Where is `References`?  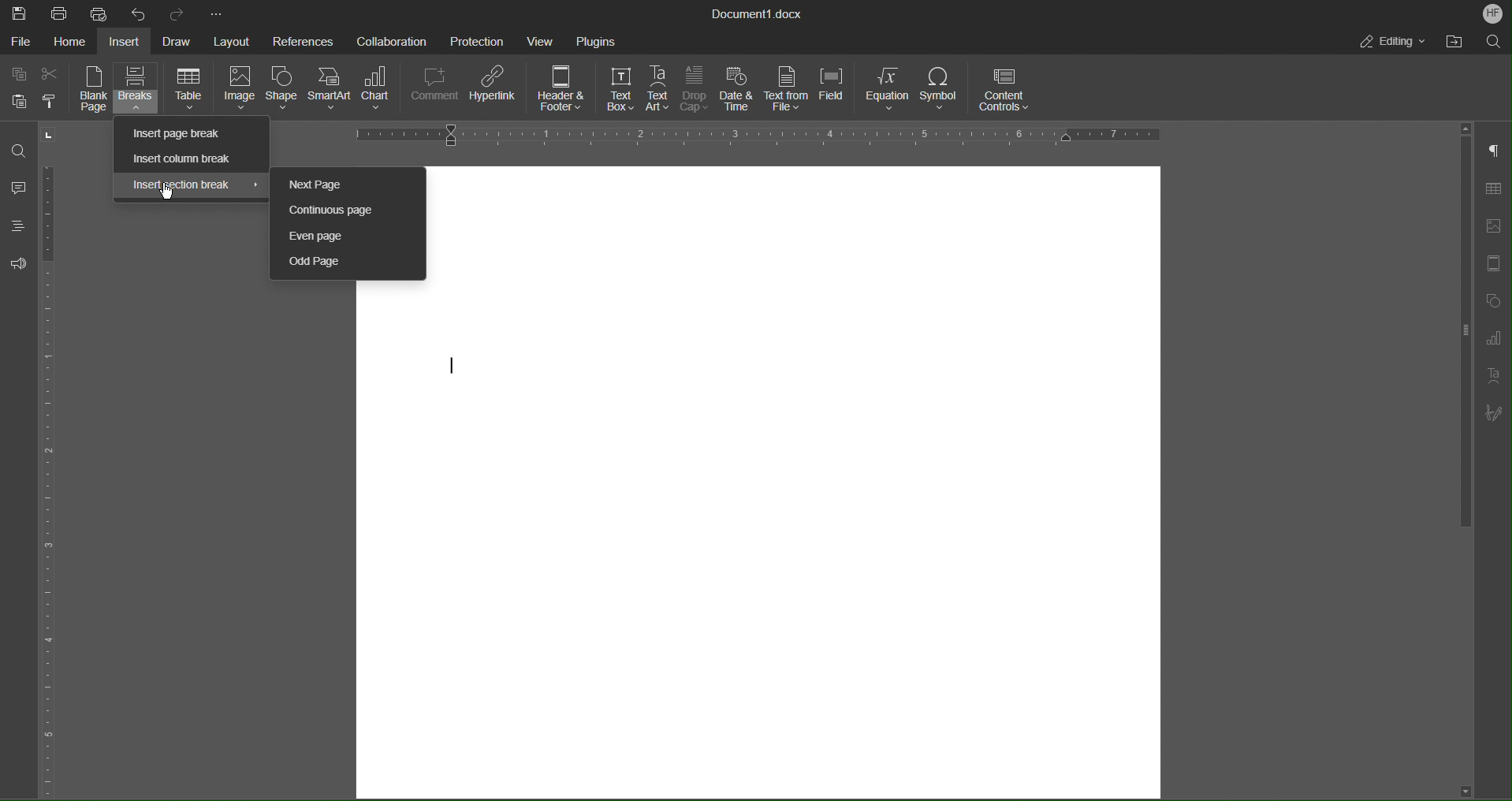
References is located at coordinates (301, 39).